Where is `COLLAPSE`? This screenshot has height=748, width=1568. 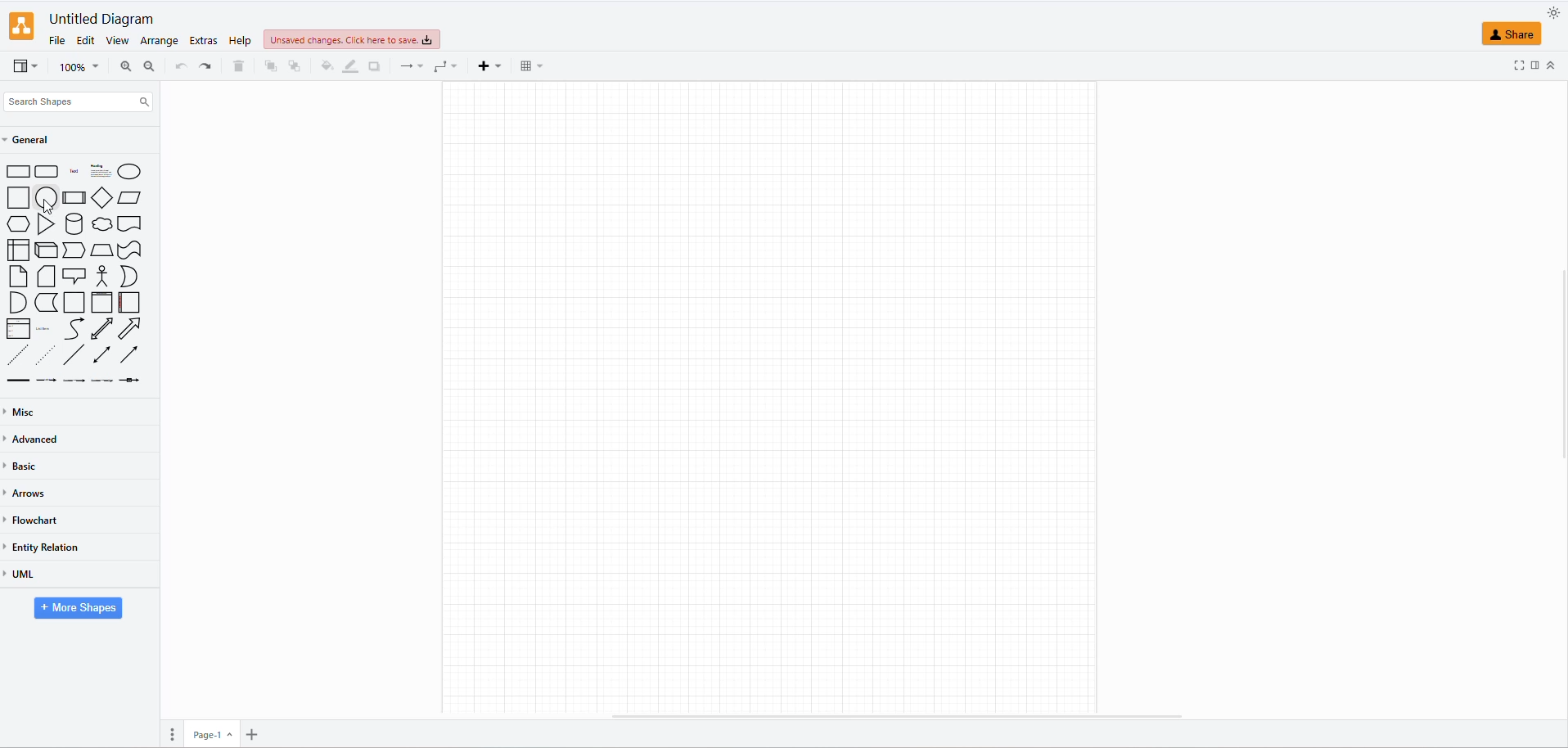 COLLAPSE is located at coordinates (1553, 65).